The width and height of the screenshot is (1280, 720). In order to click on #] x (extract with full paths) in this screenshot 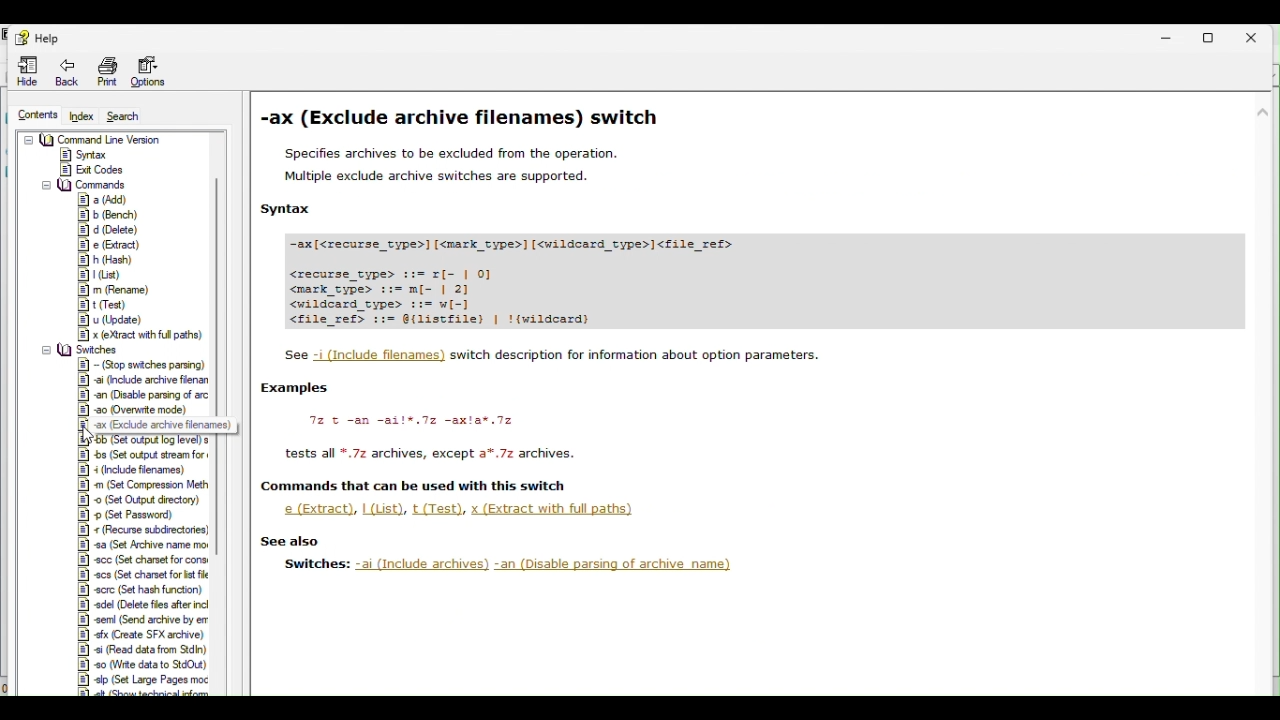, I will do `click(143, 335)`.